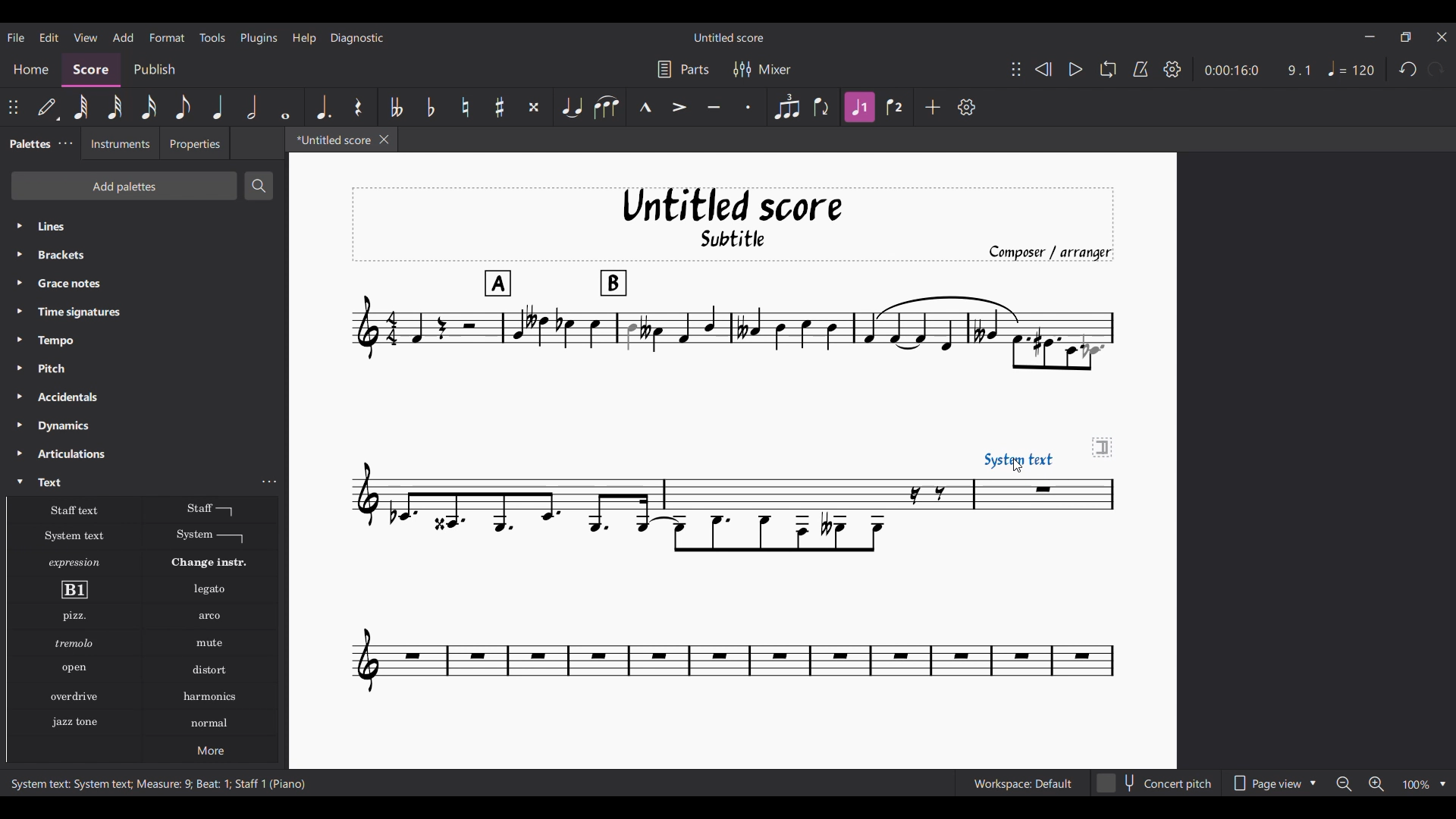 This screenshot has width=1456, height=819. I want to click on File menu, so click(16, 37).